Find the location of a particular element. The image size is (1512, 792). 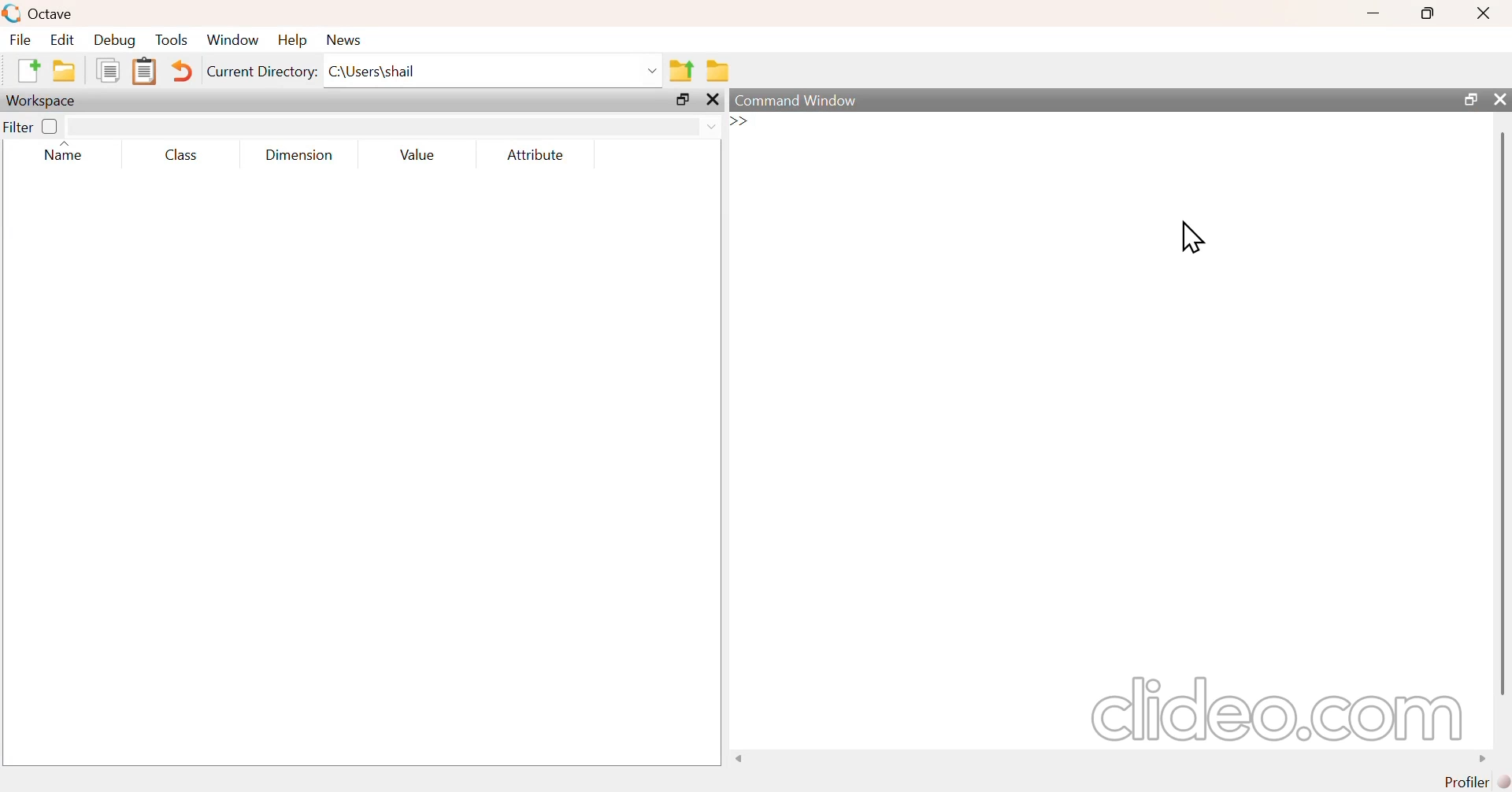

one directory up is located at coordinates (682, 69).